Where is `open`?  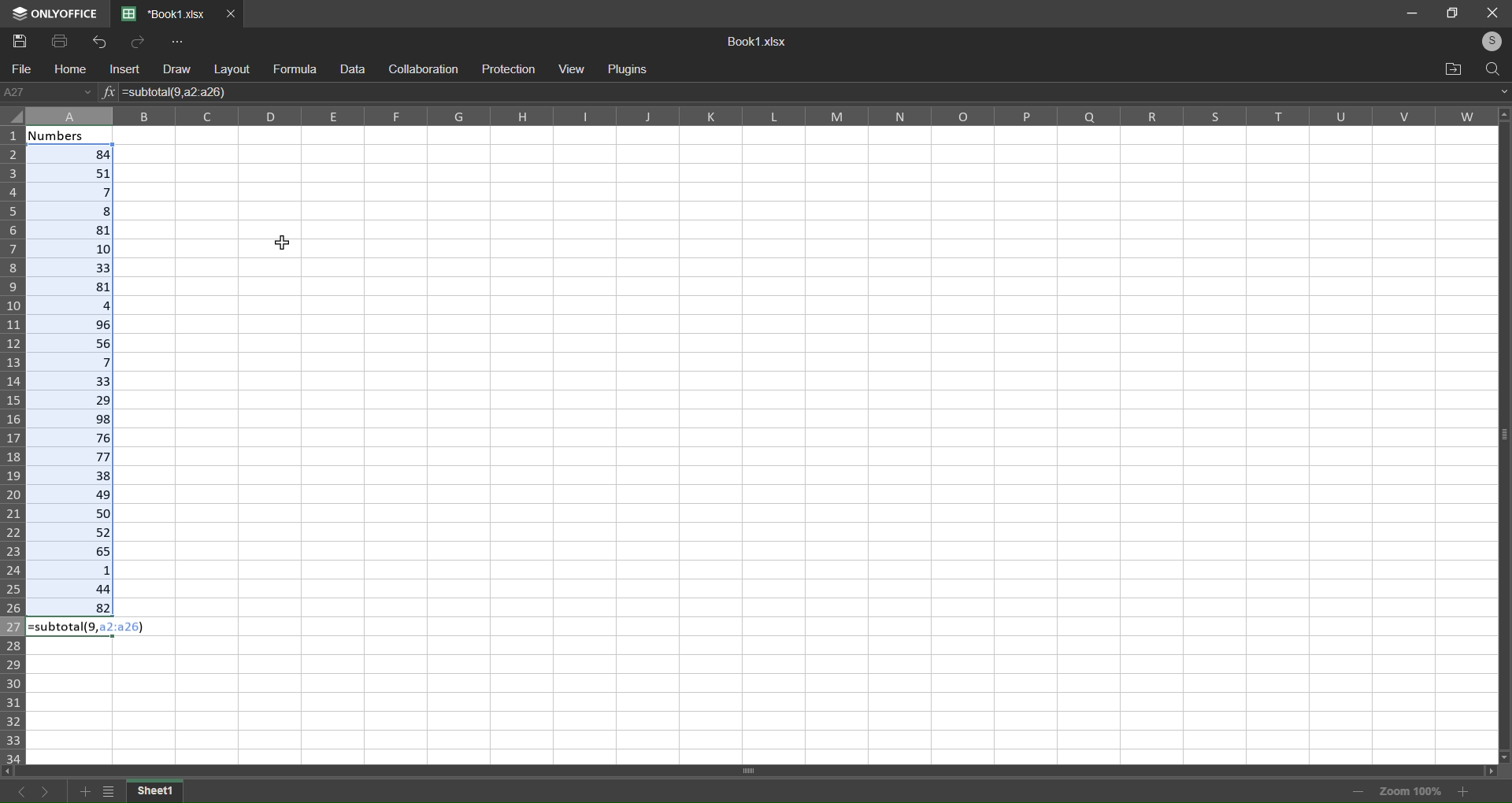
open is located at coordinates (1451, 67).